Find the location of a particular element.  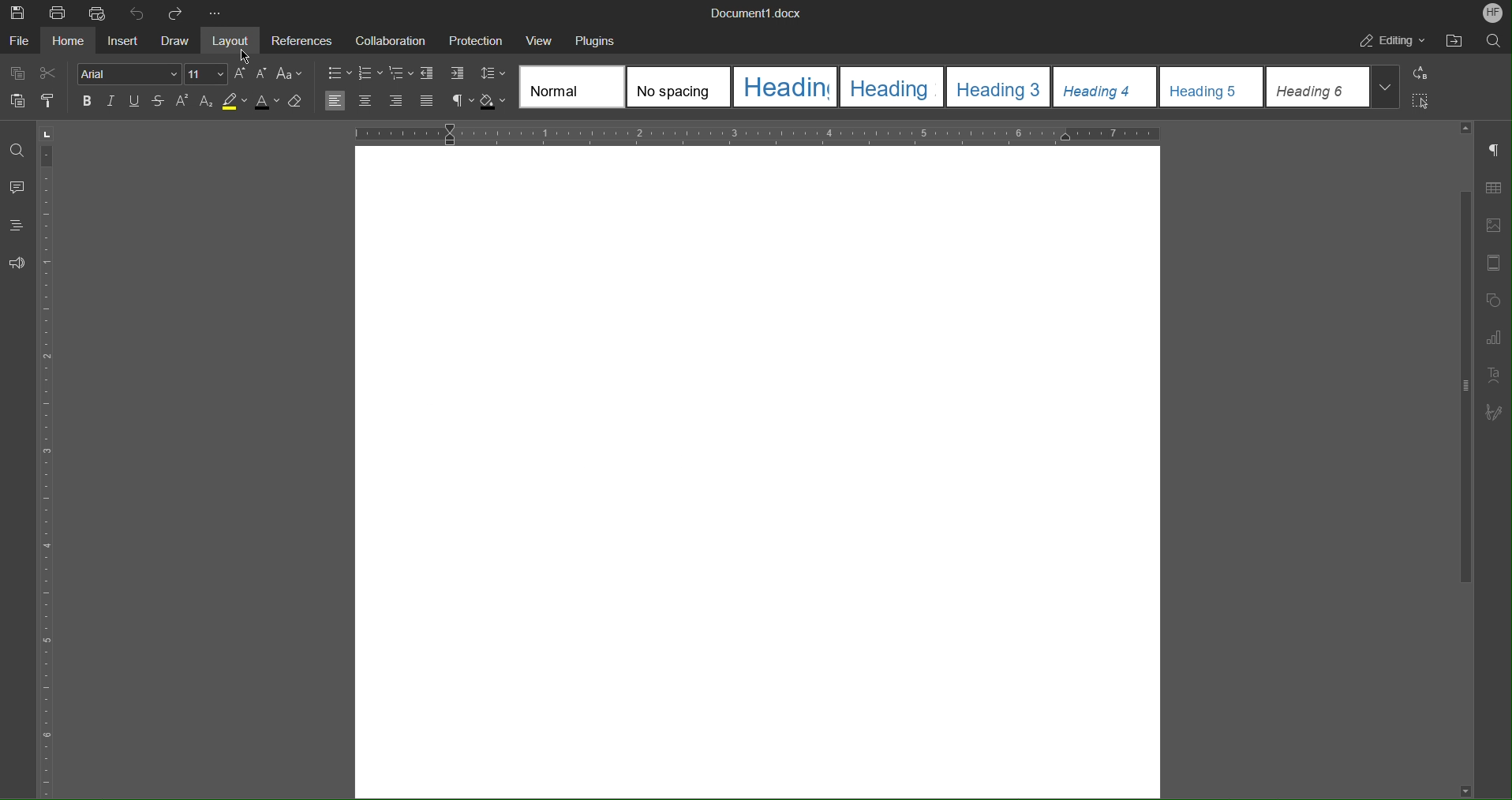

Editing is located at coordinates (1391, 40).